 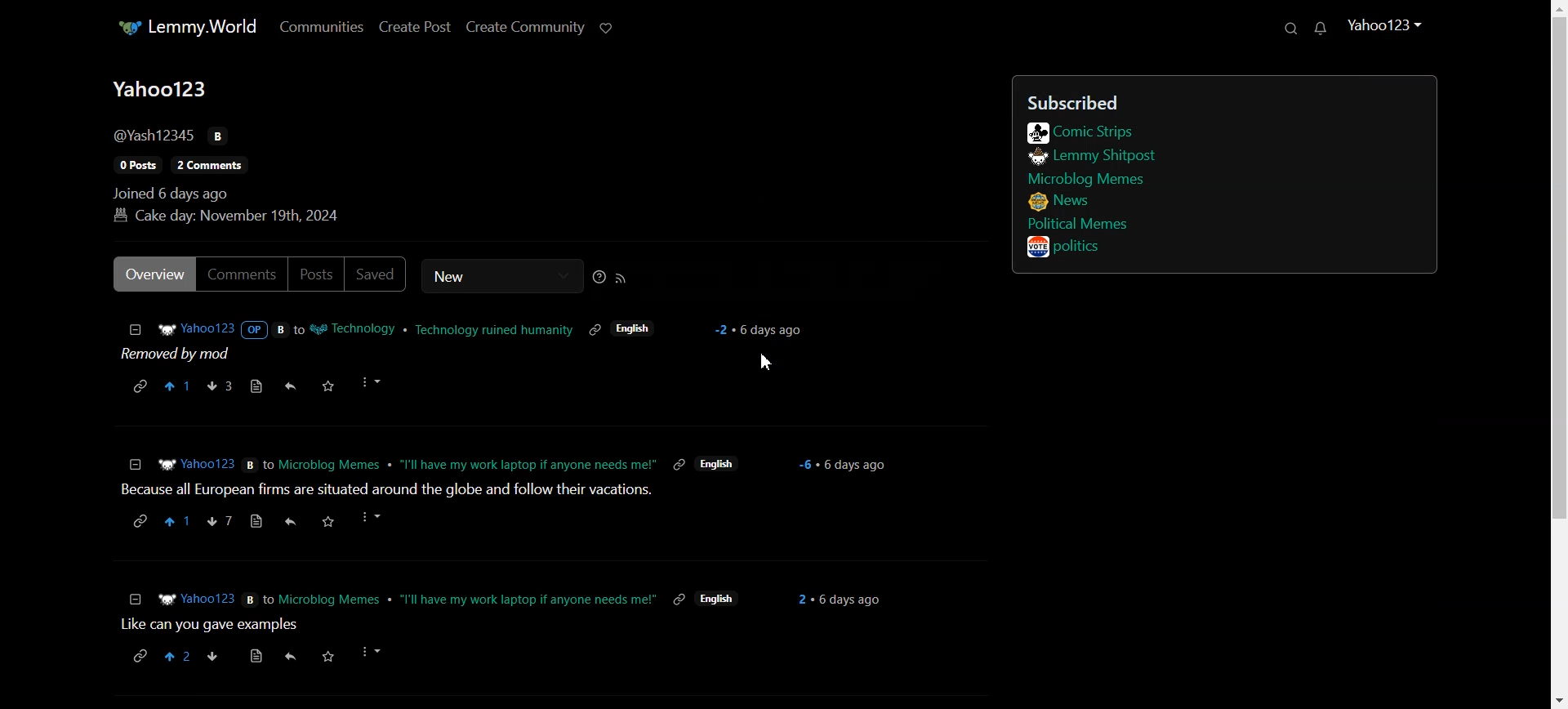 What do you see at coordinates (848, 466) in the screenshot?
I see `-6 6 days ago` at bounding box center [848, 466].